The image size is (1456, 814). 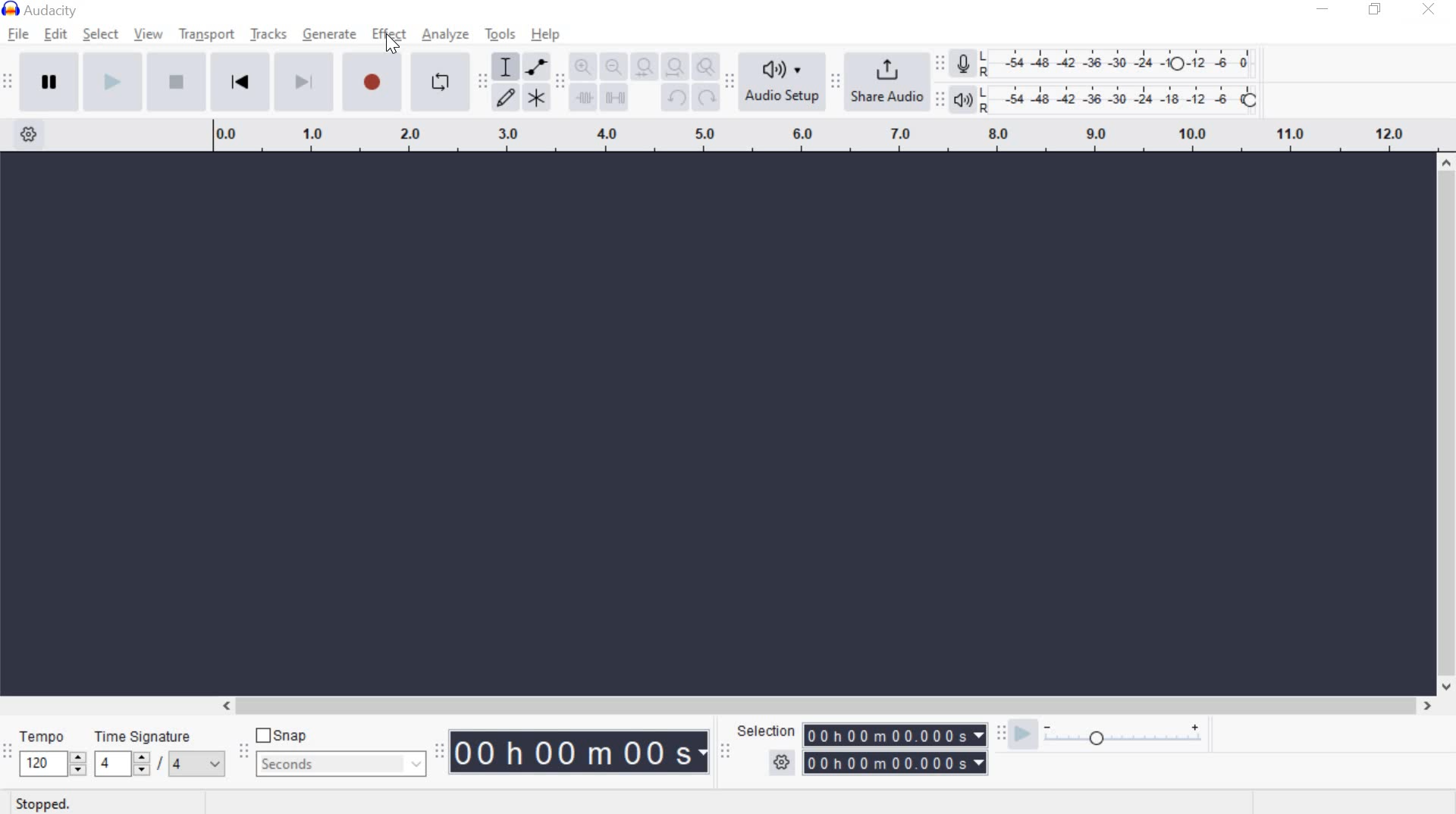 I want to click on analyze, so click(x=447, y=34).